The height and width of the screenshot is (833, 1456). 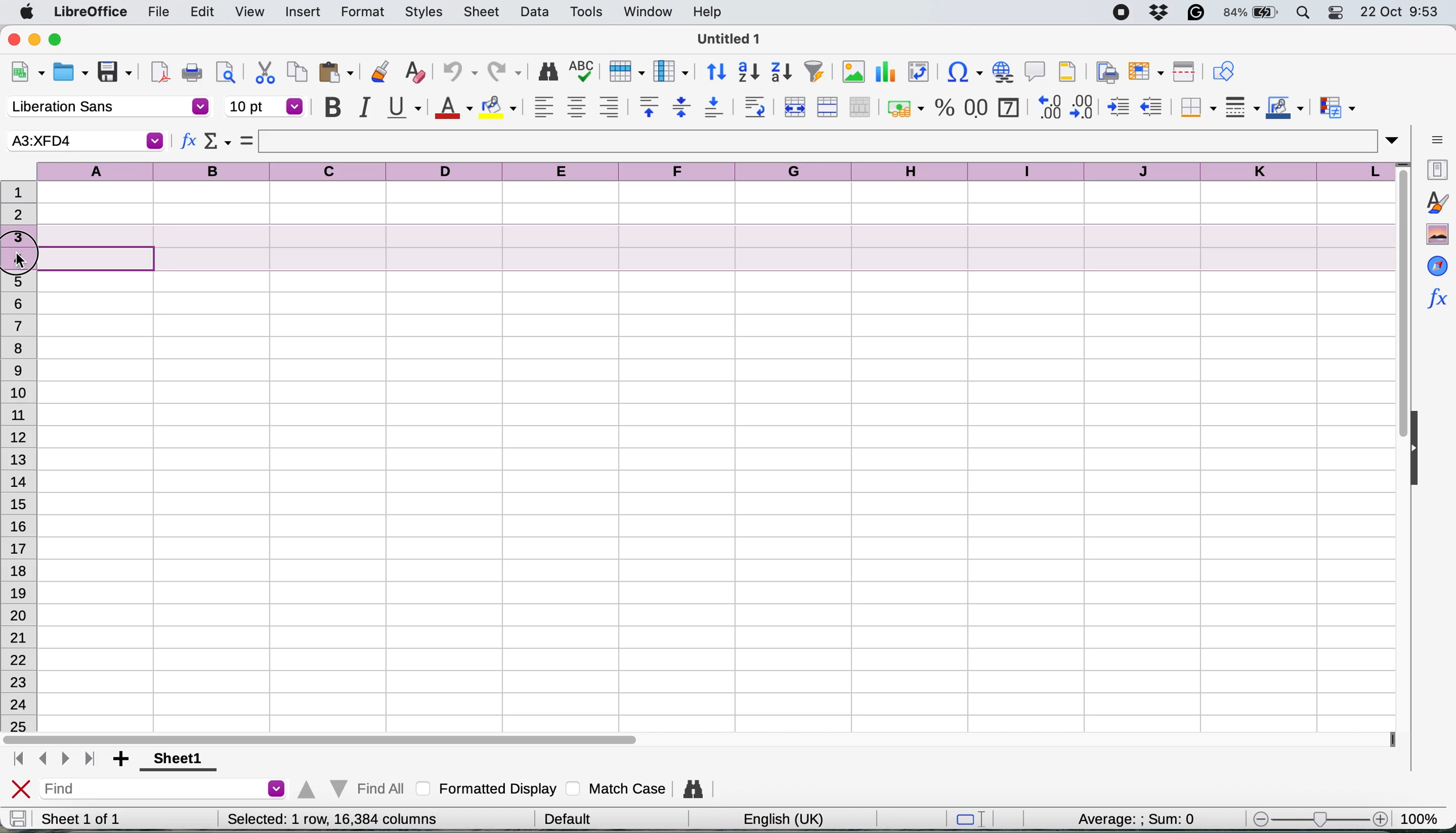 What do you see at coordinates (53, 760) in the screenshot?
I see `navigate between sheets` at bounding box center [53, 760].